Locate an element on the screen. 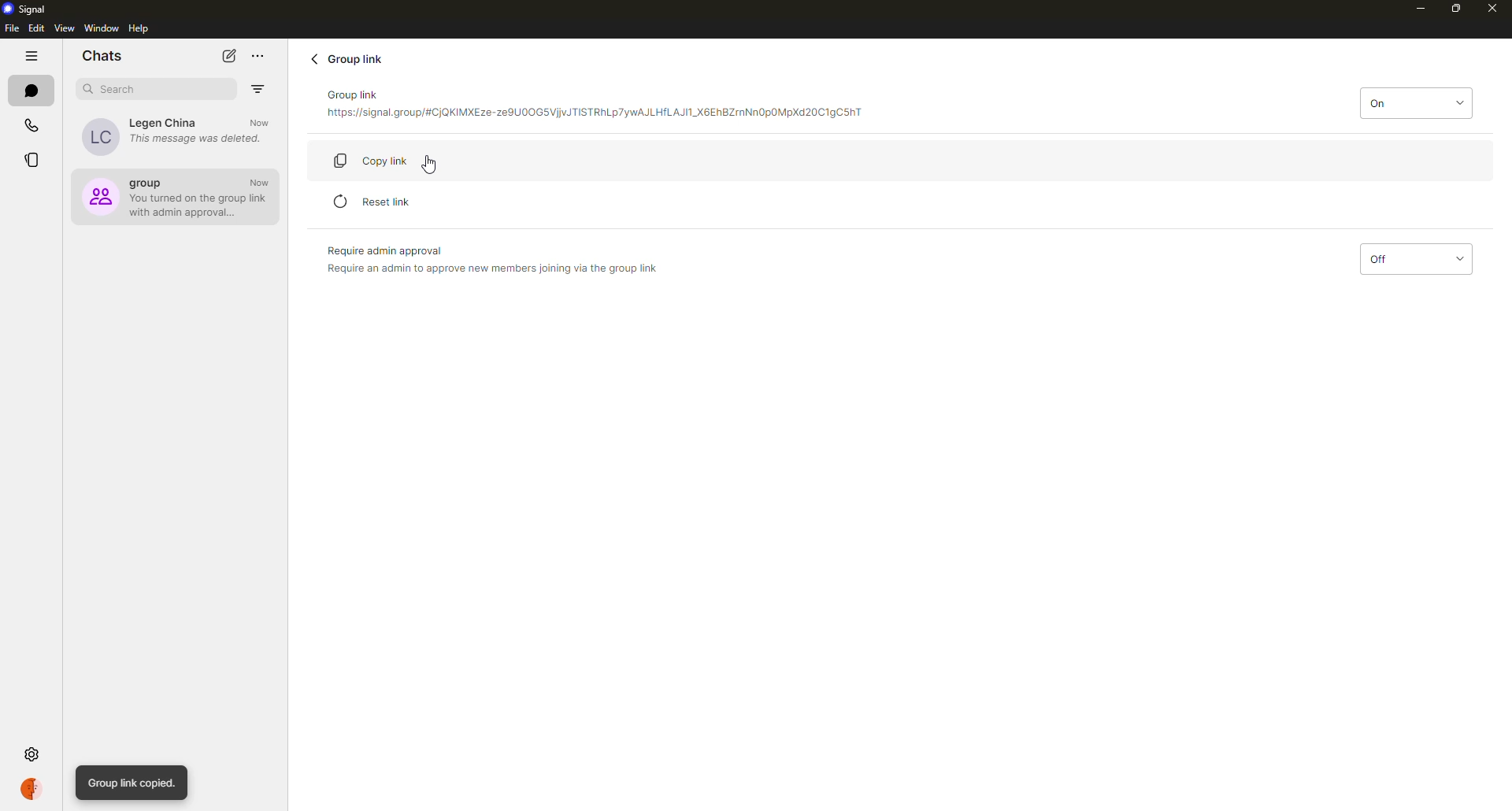 The height and width of the screenshot is (811, 1512). cursor is located at coordinates (432, 168).